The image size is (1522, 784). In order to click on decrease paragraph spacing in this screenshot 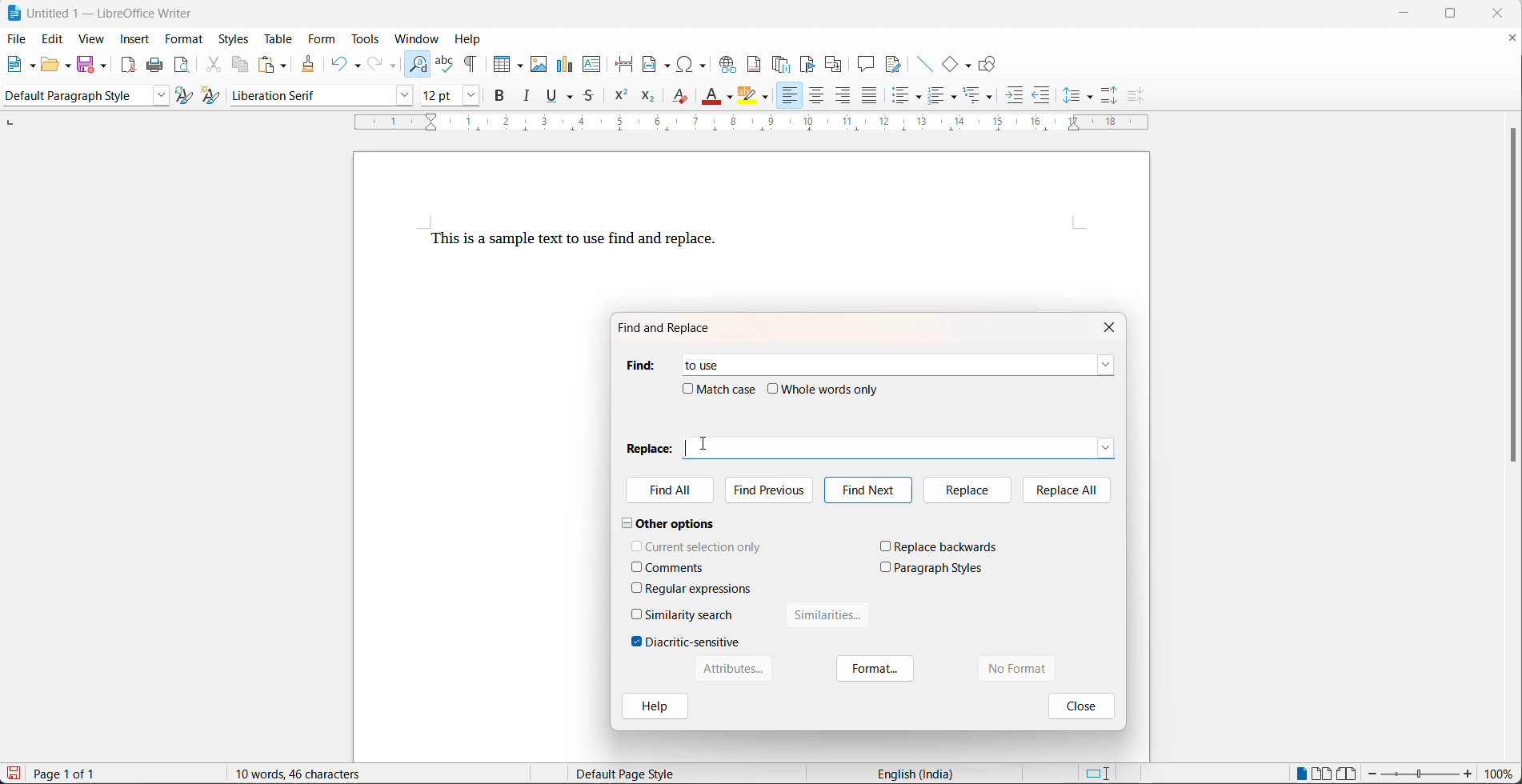, I will do `click(1133, 96)`.